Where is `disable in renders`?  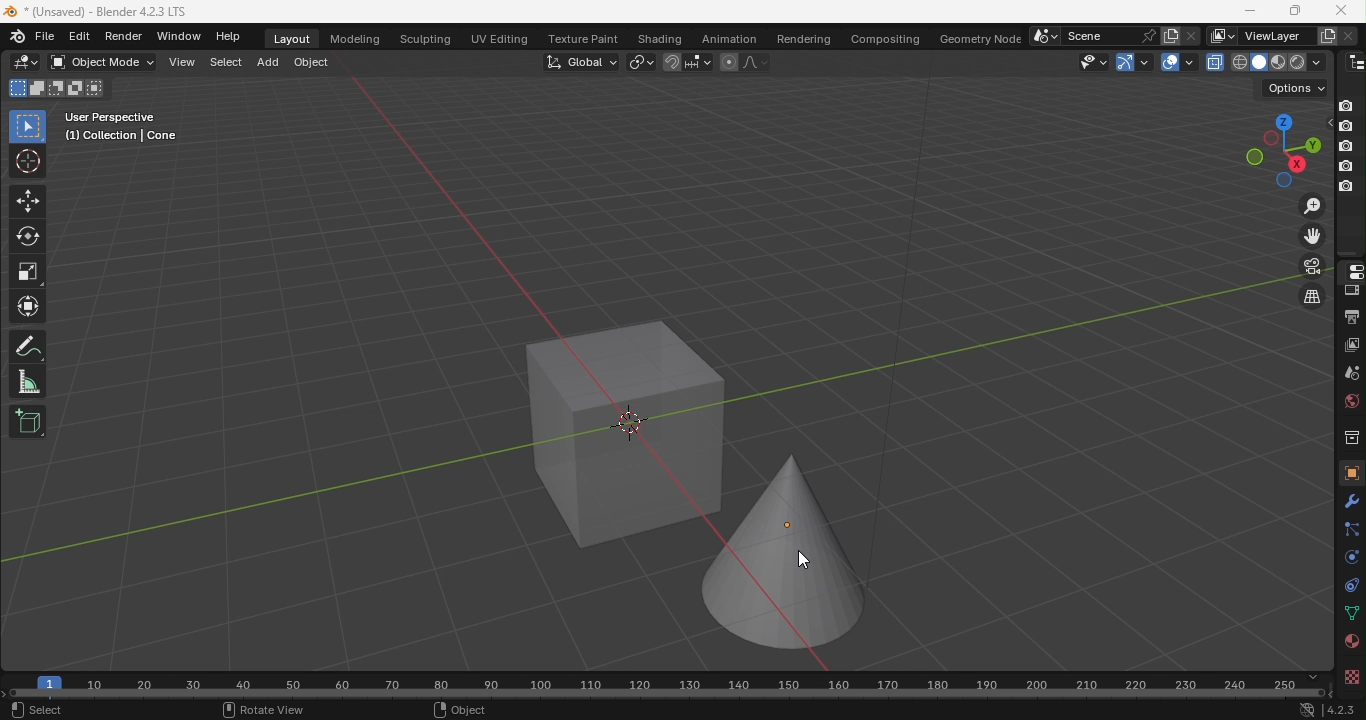
disable in renders is located at coordinates (1346, 187).